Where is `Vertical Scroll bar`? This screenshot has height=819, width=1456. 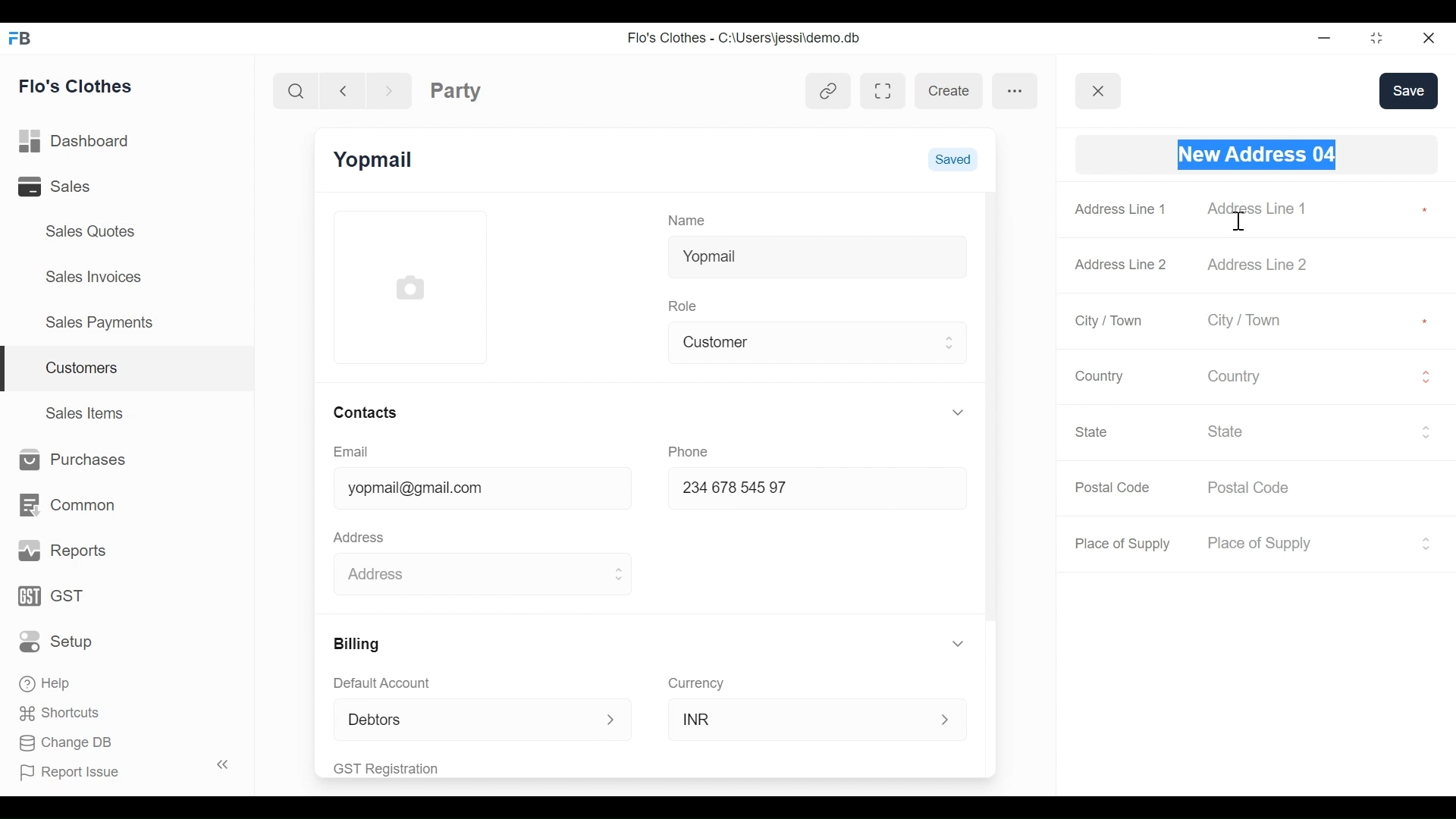 Vertical Scroll bar is located at coordinates (990, 407).